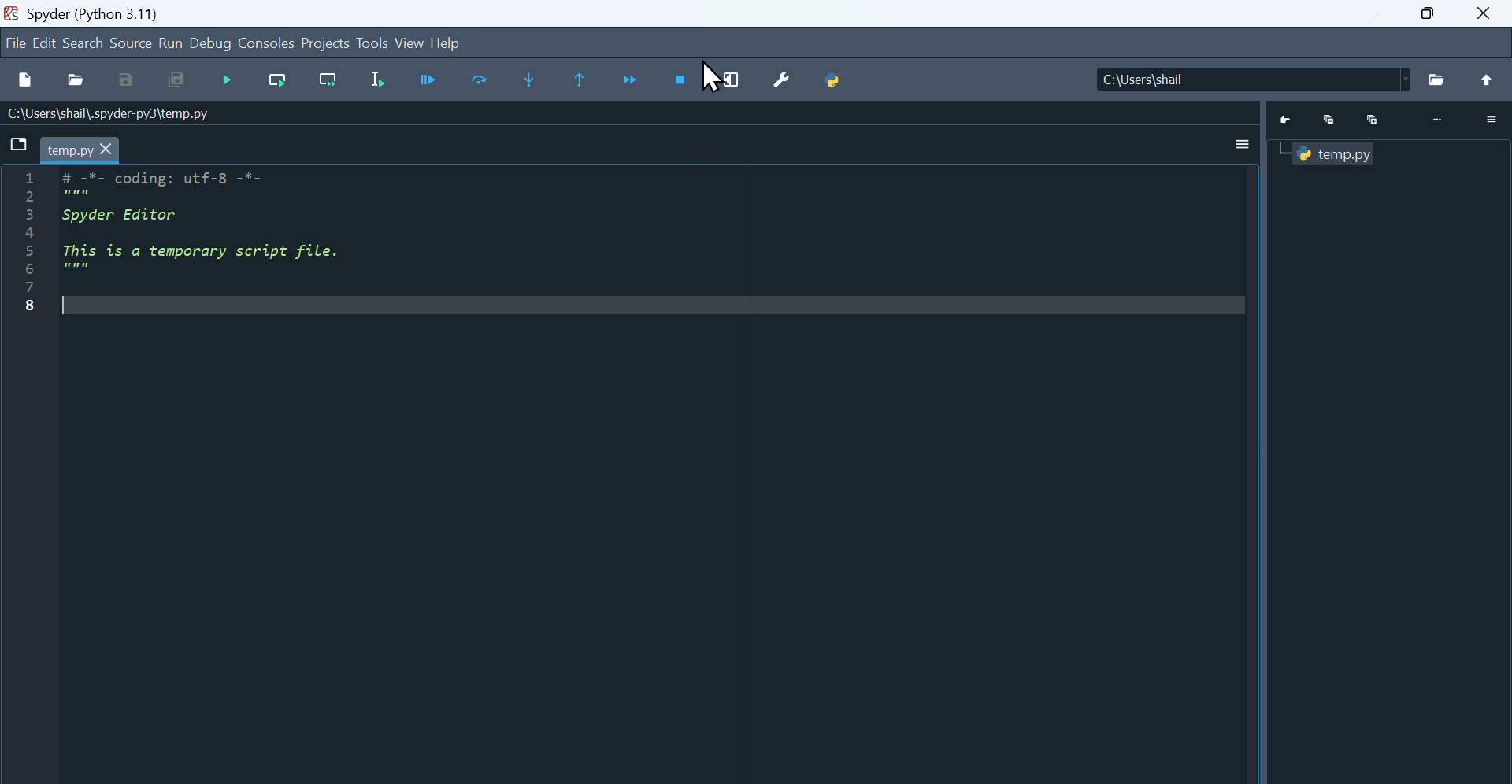  Describe the element at coordinates (447, 43) in the screenshot. I see `help` at that location.